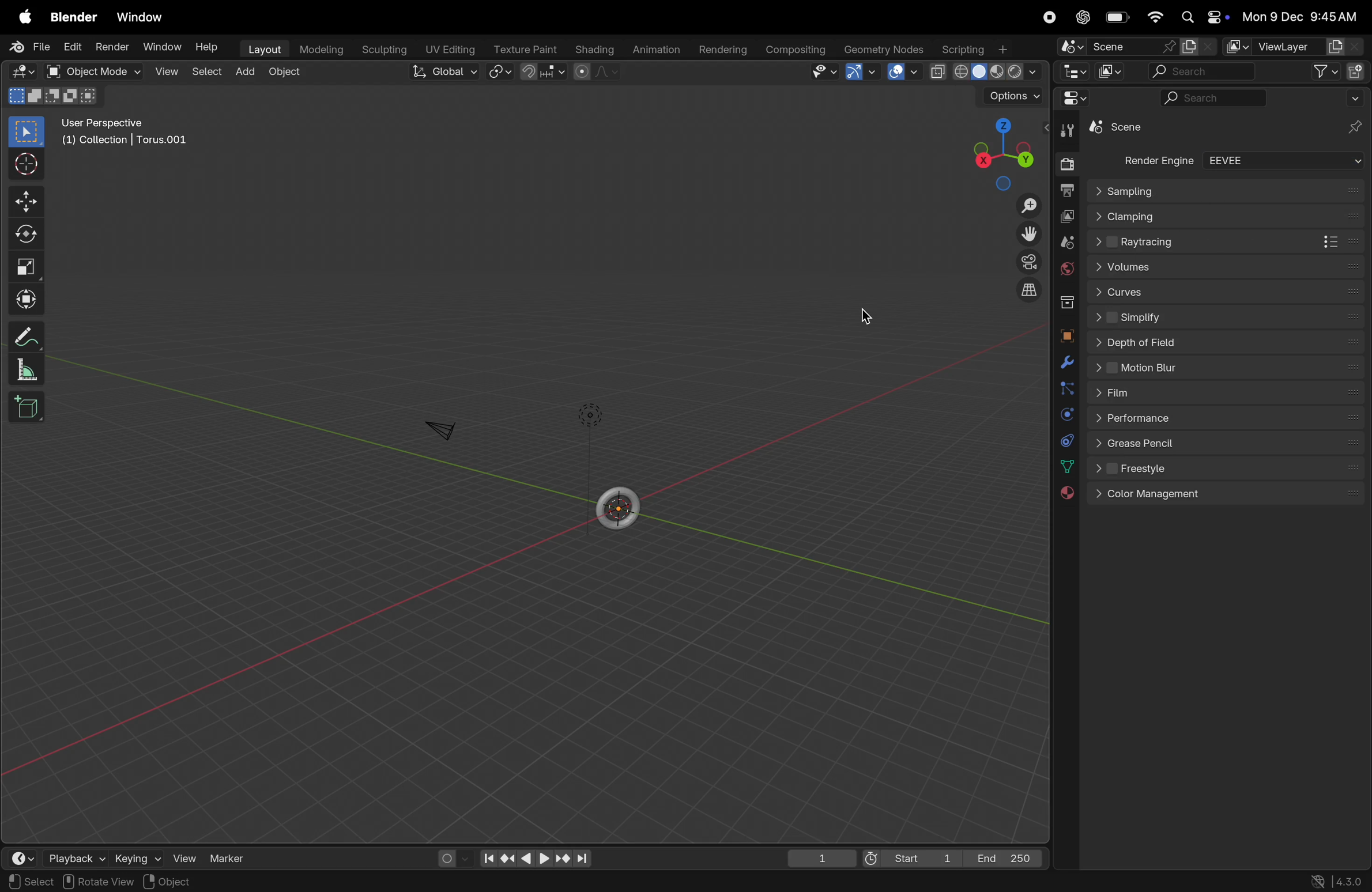  What do you see at coordinates (1228, 216) in the screenshot?
I see `clapming` at bounding box center [1228, 216].